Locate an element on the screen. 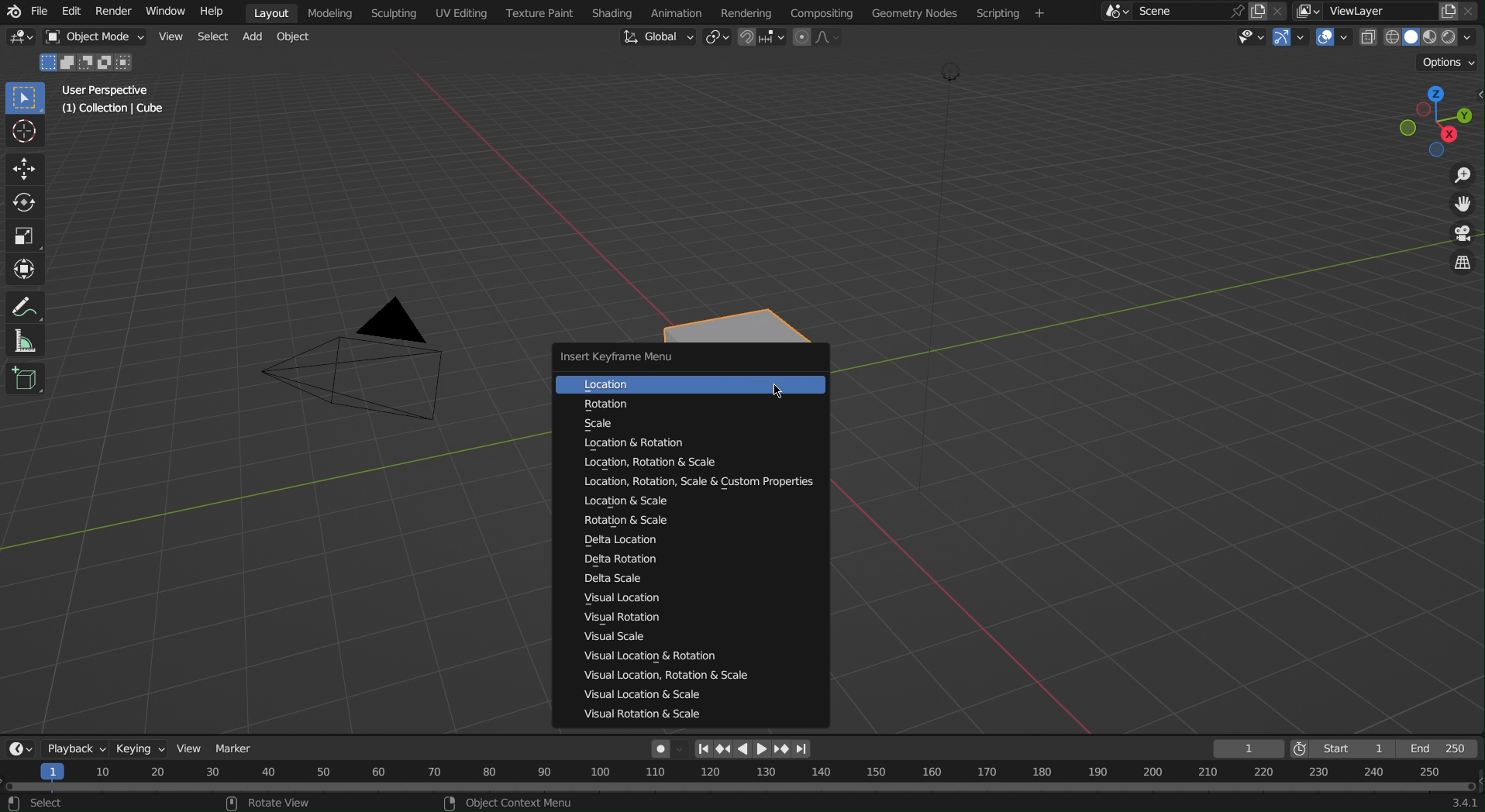 The width and height of the screenshot is (1485, 812). 341 is located at coordinates (1450, 803).